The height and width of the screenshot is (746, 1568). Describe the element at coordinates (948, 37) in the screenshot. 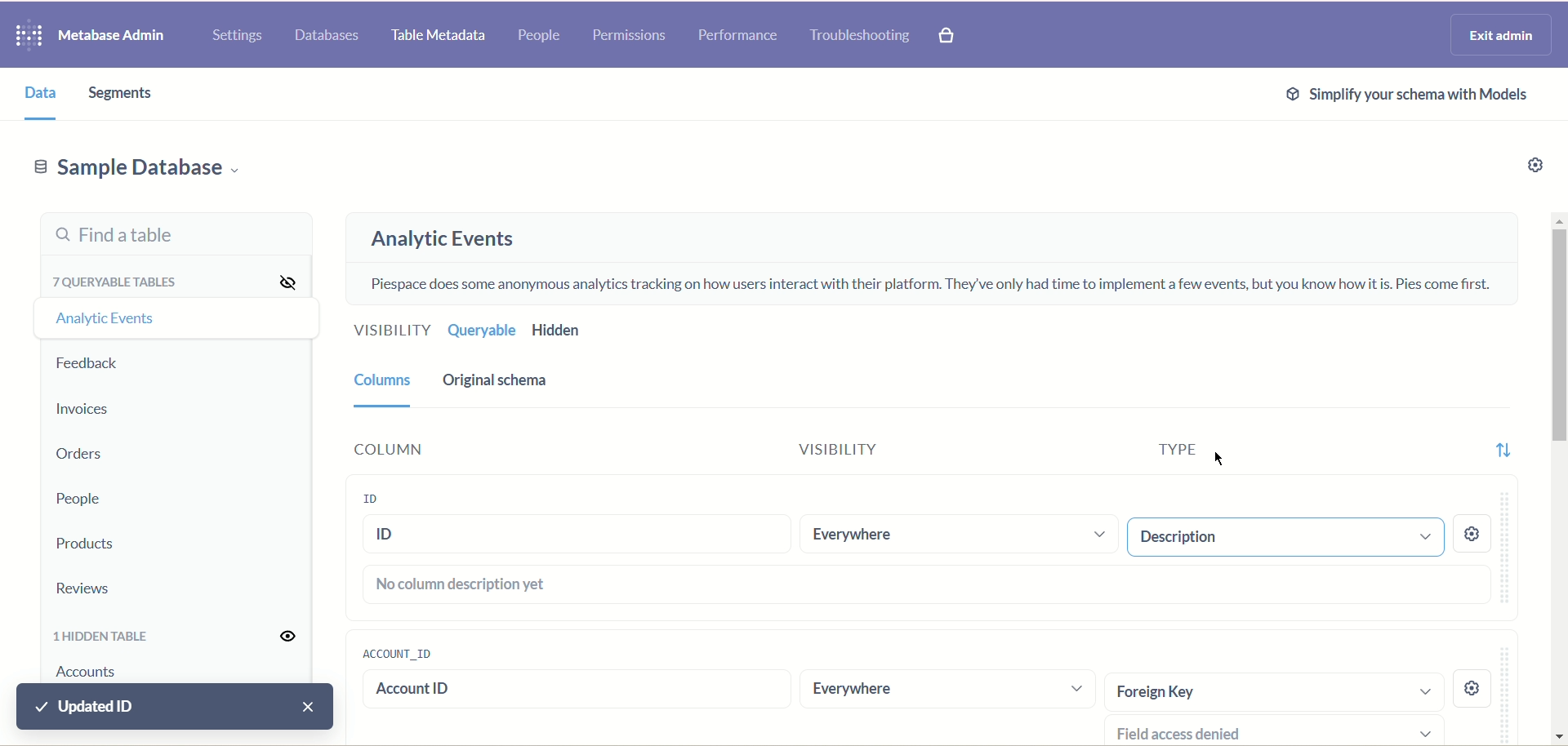

I see `paid features` at that location.